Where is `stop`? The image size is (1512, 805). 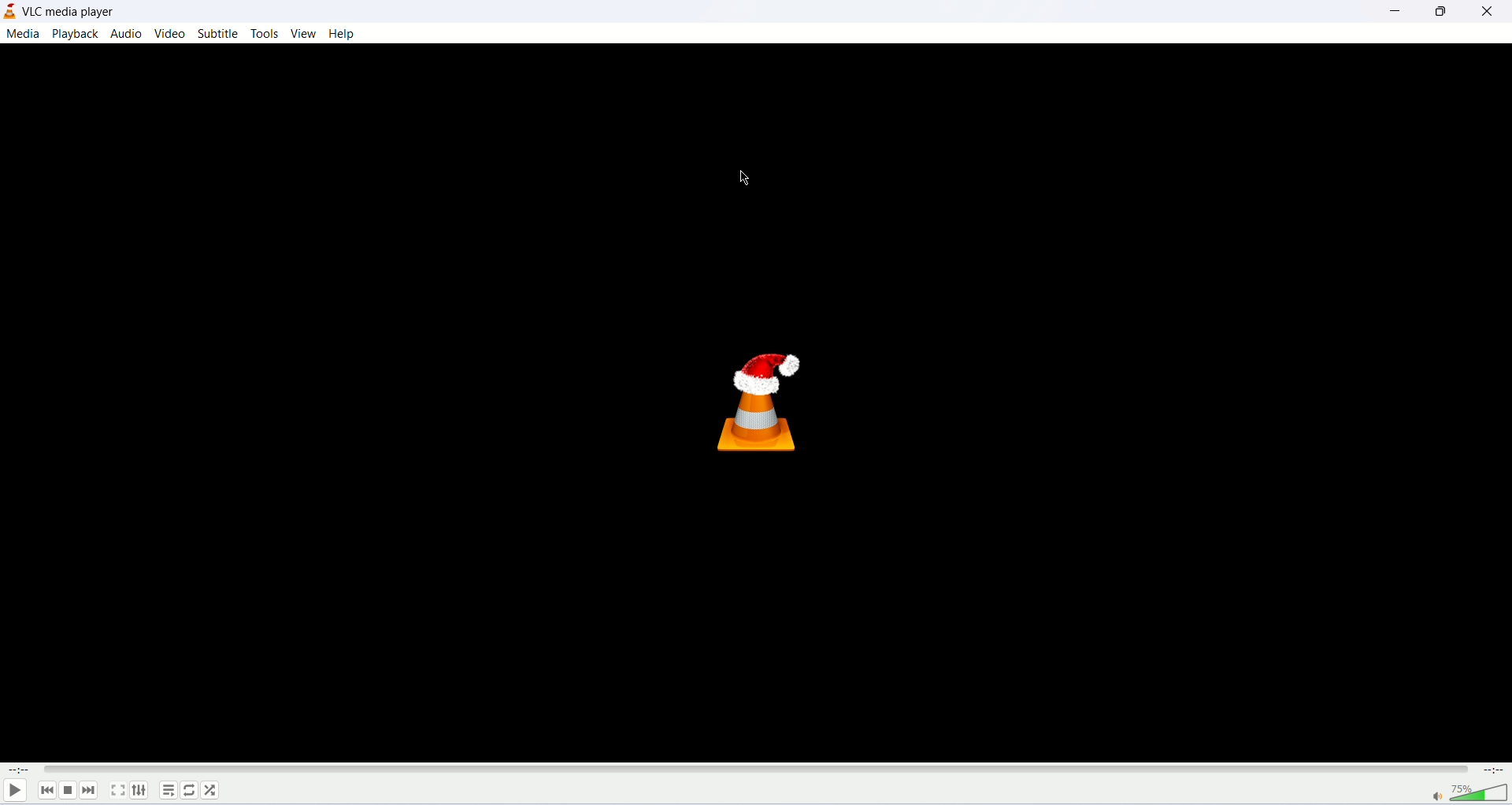
stop is located at coordinates (68, 792).